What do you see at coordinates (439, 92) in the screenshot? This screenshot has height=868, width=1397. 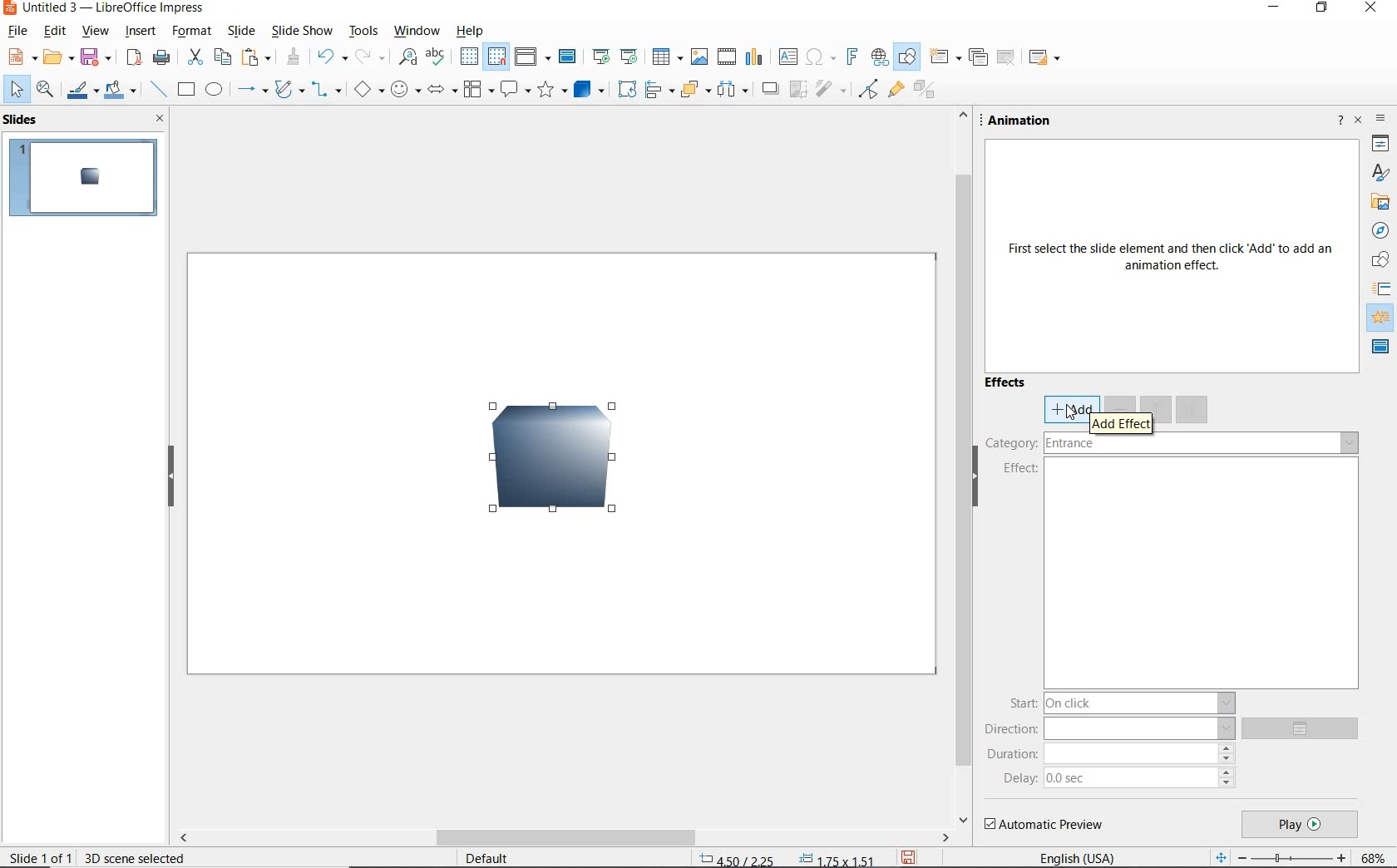 I see `block arrows` at bounding box center [439, 92].